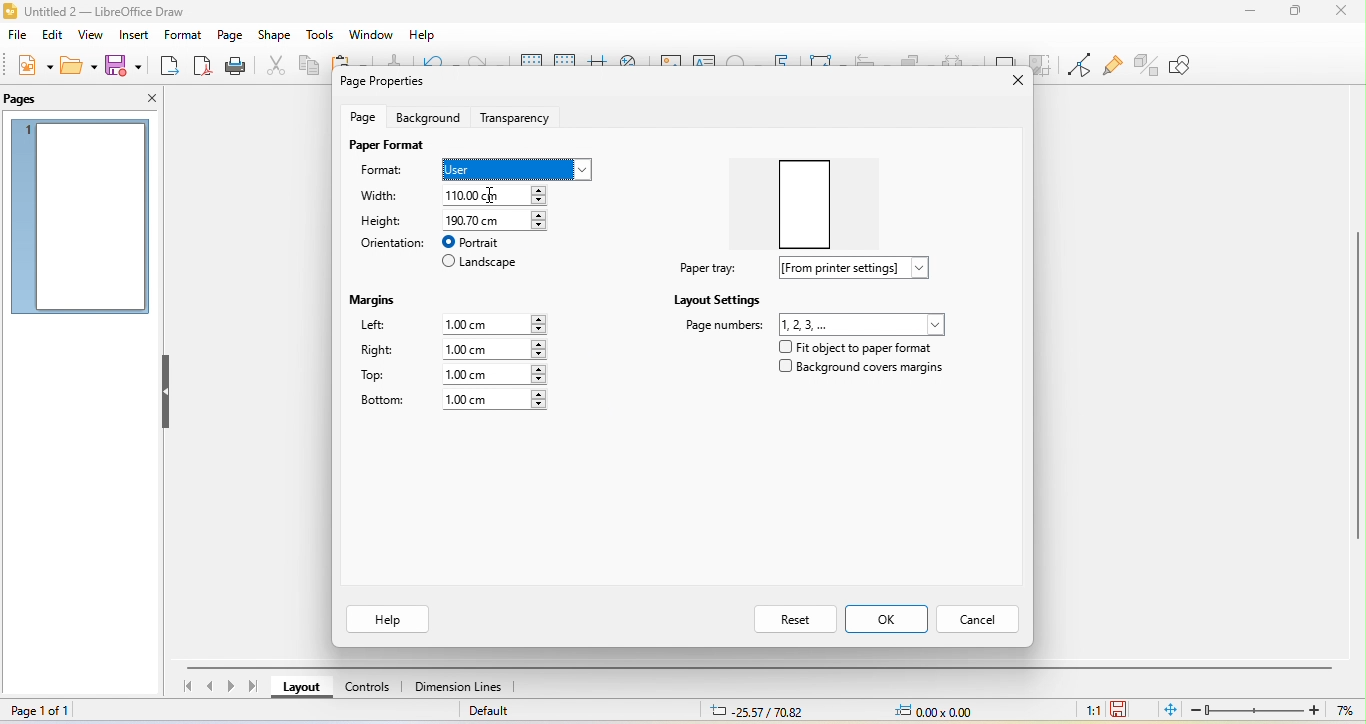  What do you see at coordinates (420, 36) in the screenshot?
I see `help` at bounding box center [420, 36].